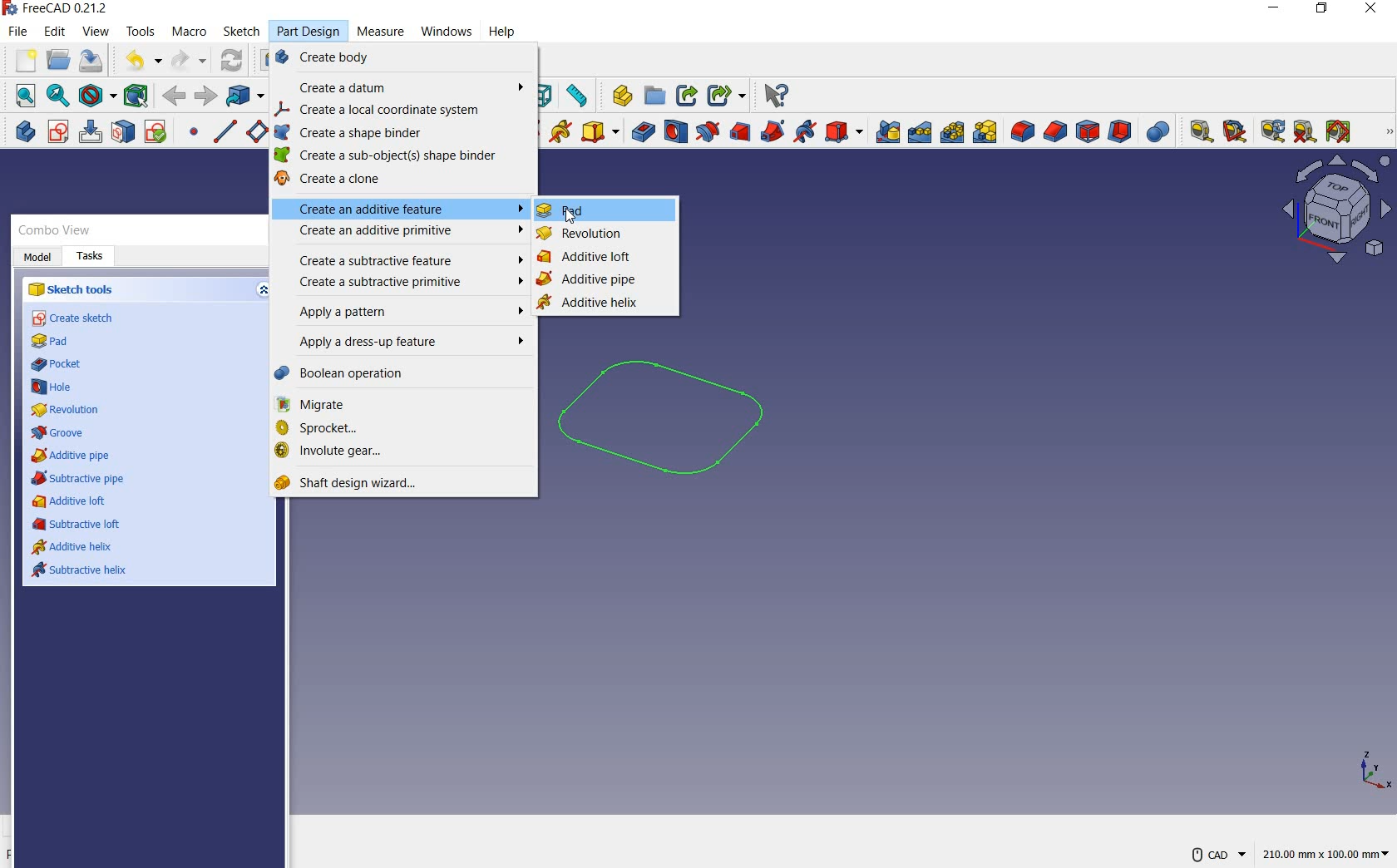 The height and width of the screenshot is (868, 1397). What do you see at coordinates (56, 387) in the screenshot?
I see `hole` at bounding box center [56, 387].